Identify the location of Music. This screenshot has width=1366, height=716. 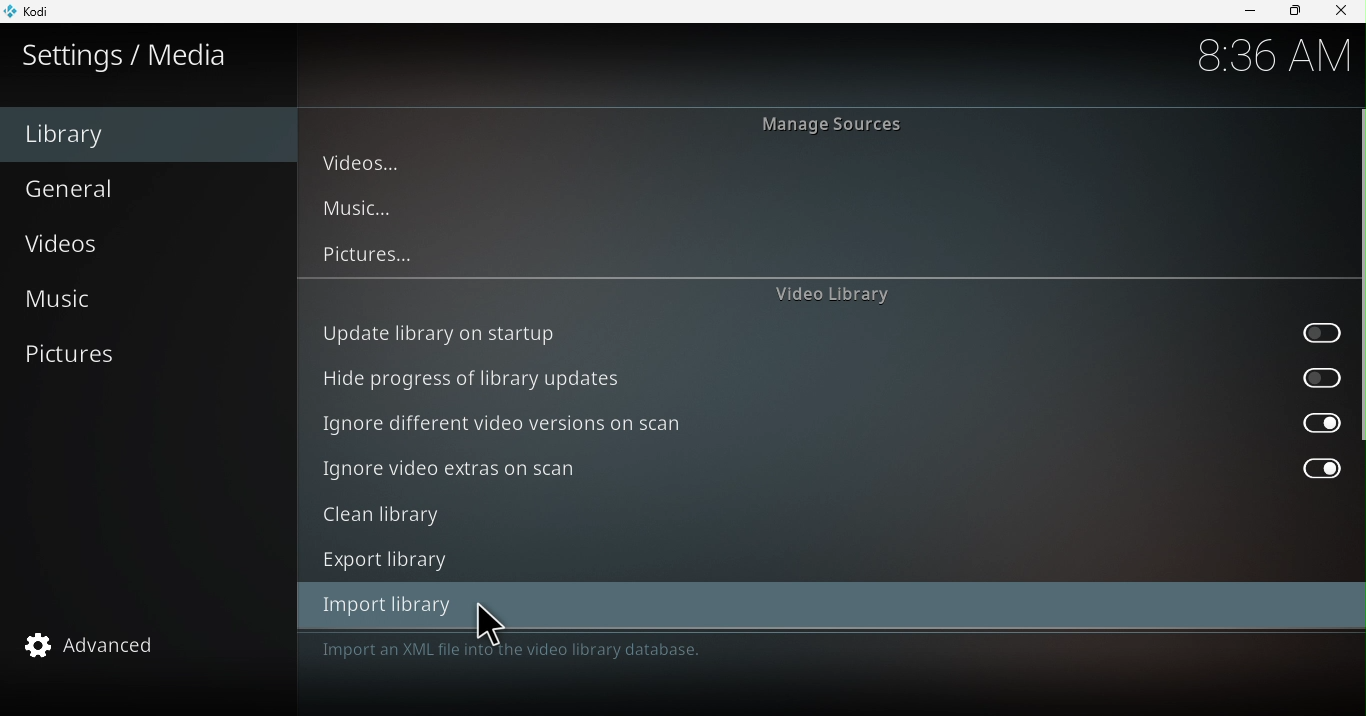
(138, 303).